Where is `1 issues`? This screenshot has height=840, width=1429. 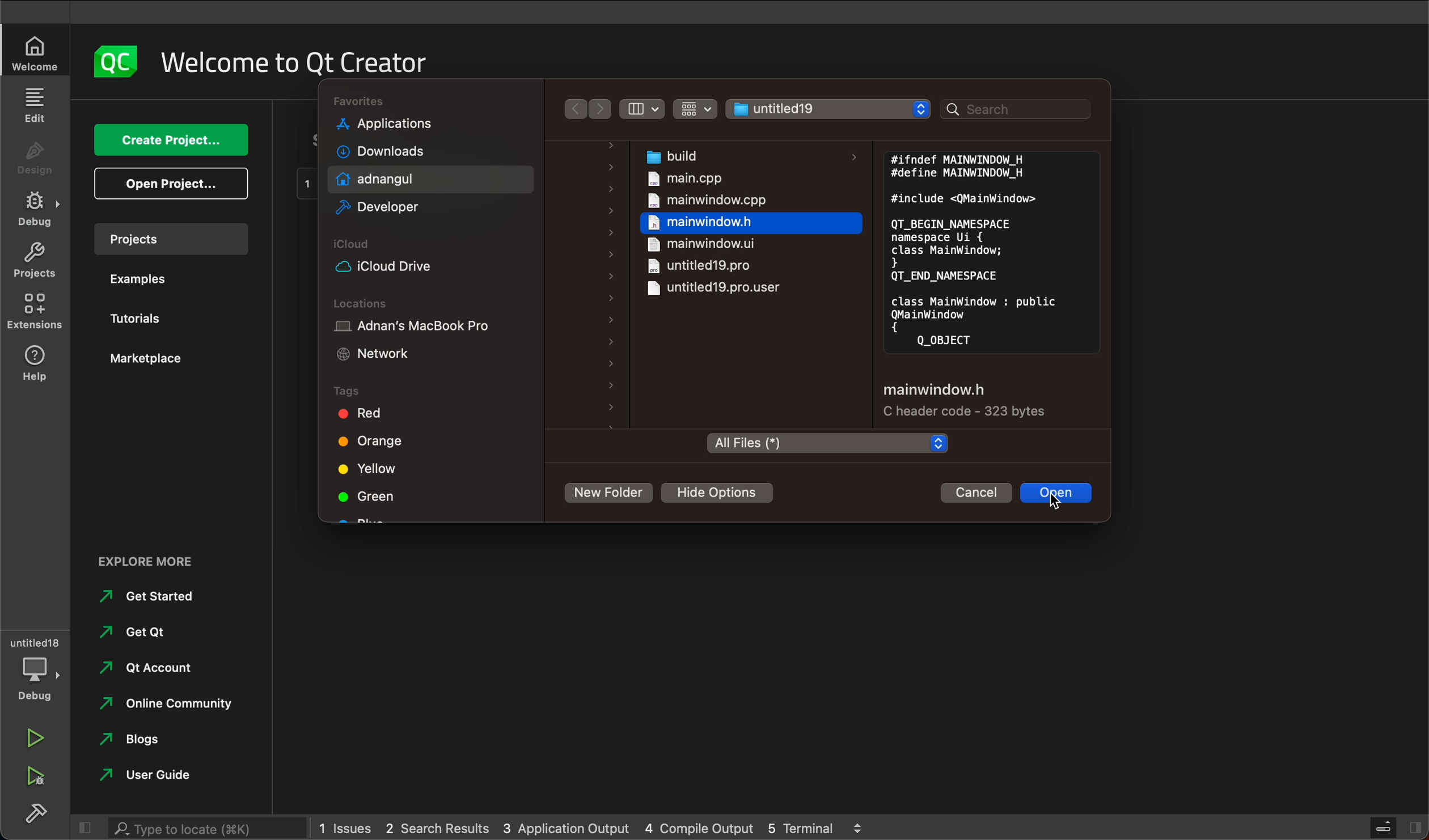 1 issues is located at coordinates (349, 828).